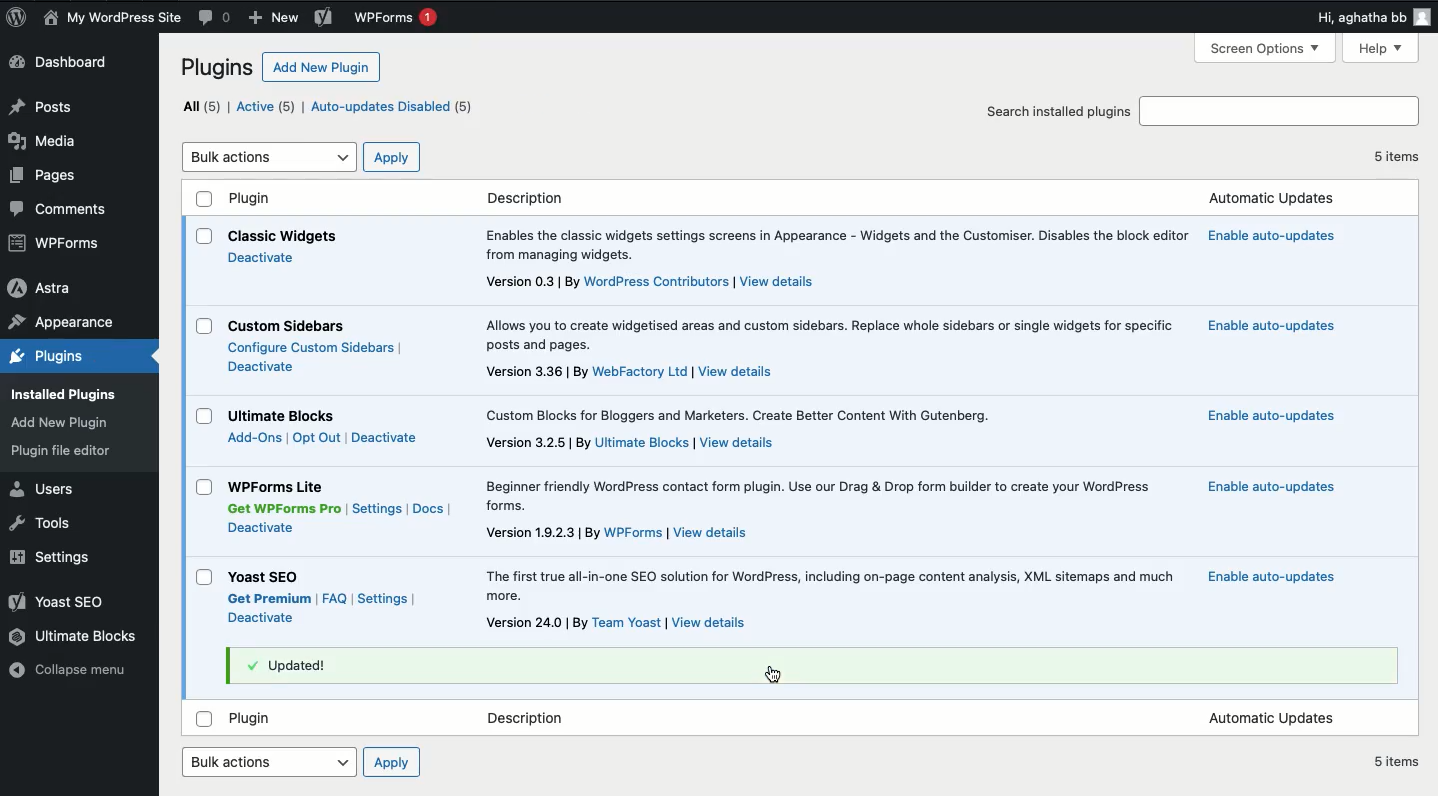  What do you see at coordinates (205, 719) in the screenshot?
I see `Checkbox` at bounding box center [205, 719].